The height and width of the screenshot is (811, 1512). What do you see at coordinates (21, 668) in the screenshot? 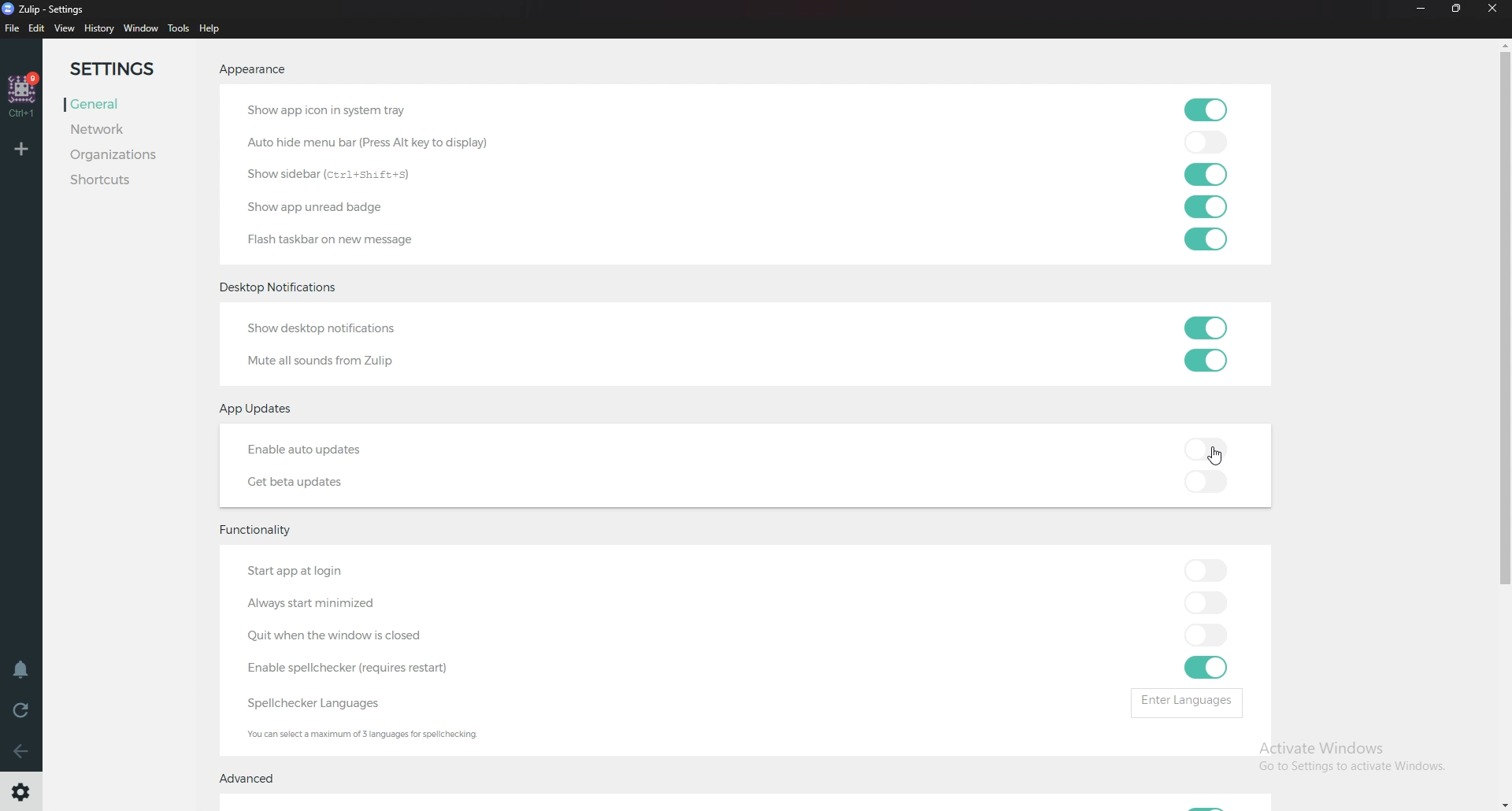
I see `Enable do not disturb` at bounding box center [21, 668].